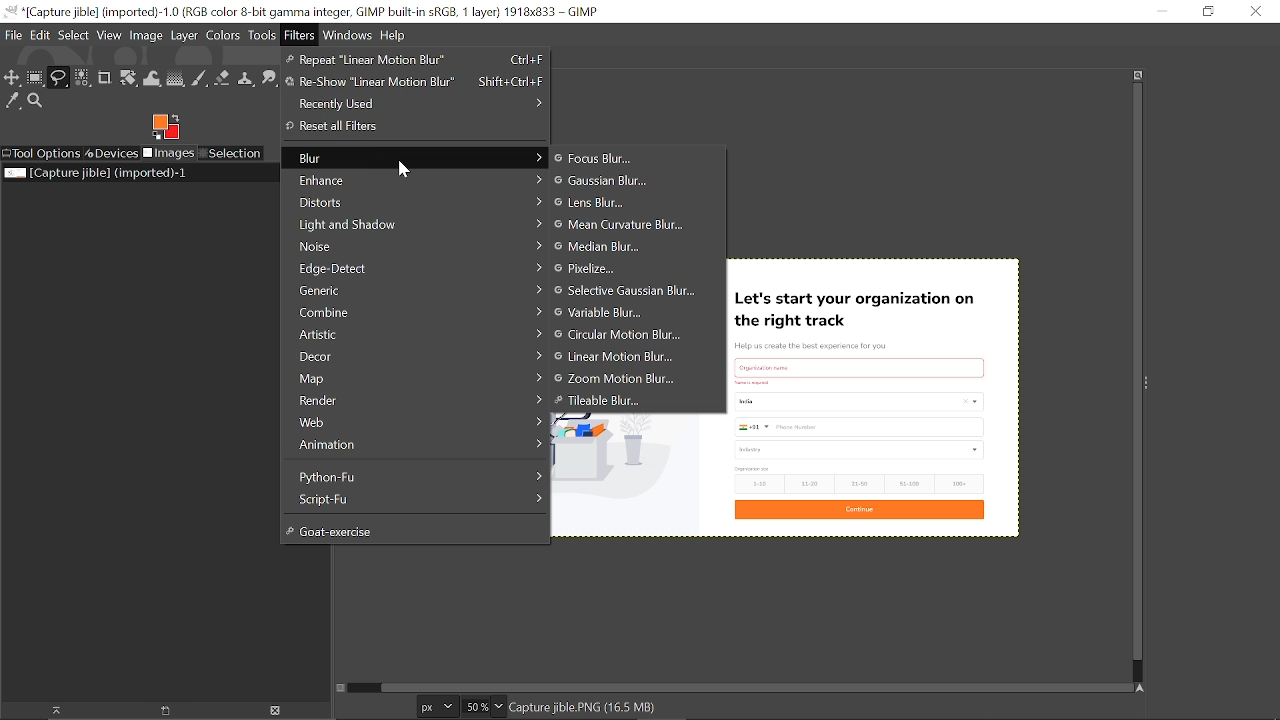 The width and height of the screenshot is (1280, 720). What do you see at coordinates (128, 79) in the screenshot?
I see `Unified transform tool` at bounding box center [128, 79].